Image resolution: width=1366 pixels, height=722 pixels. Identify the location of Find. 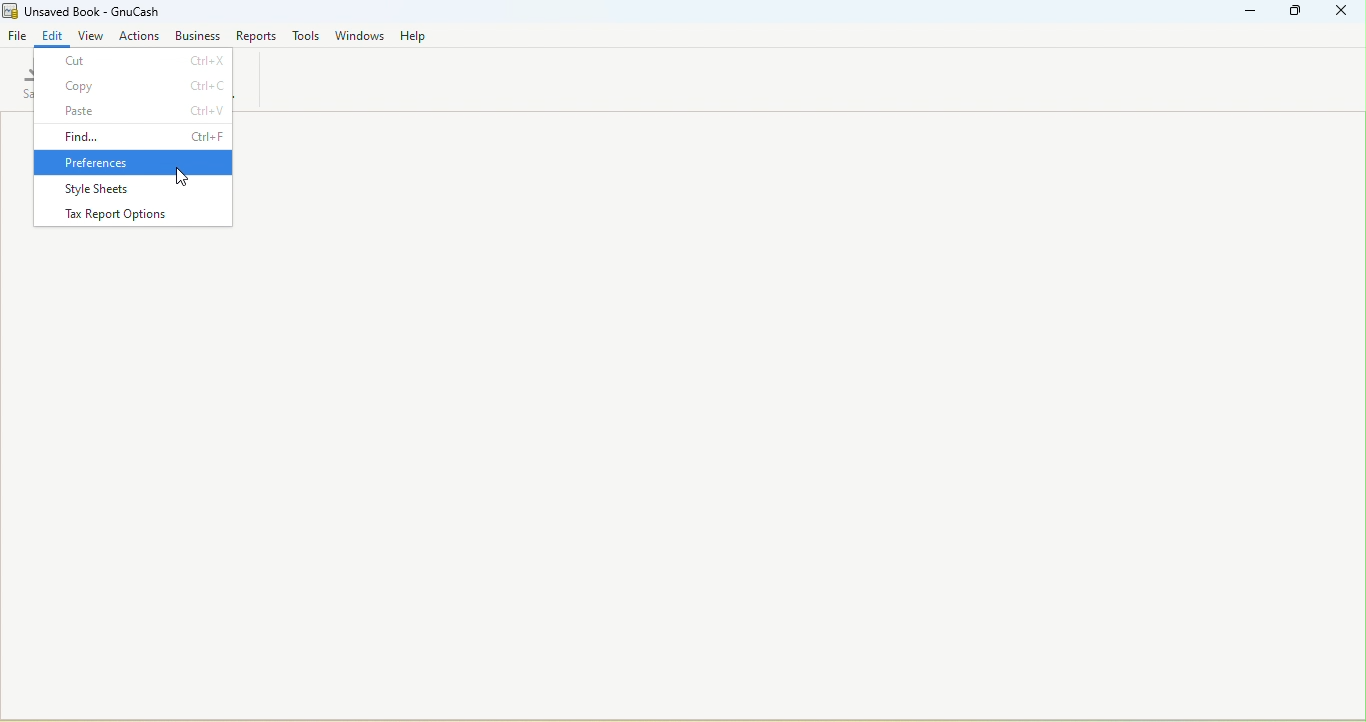
(135, 137).